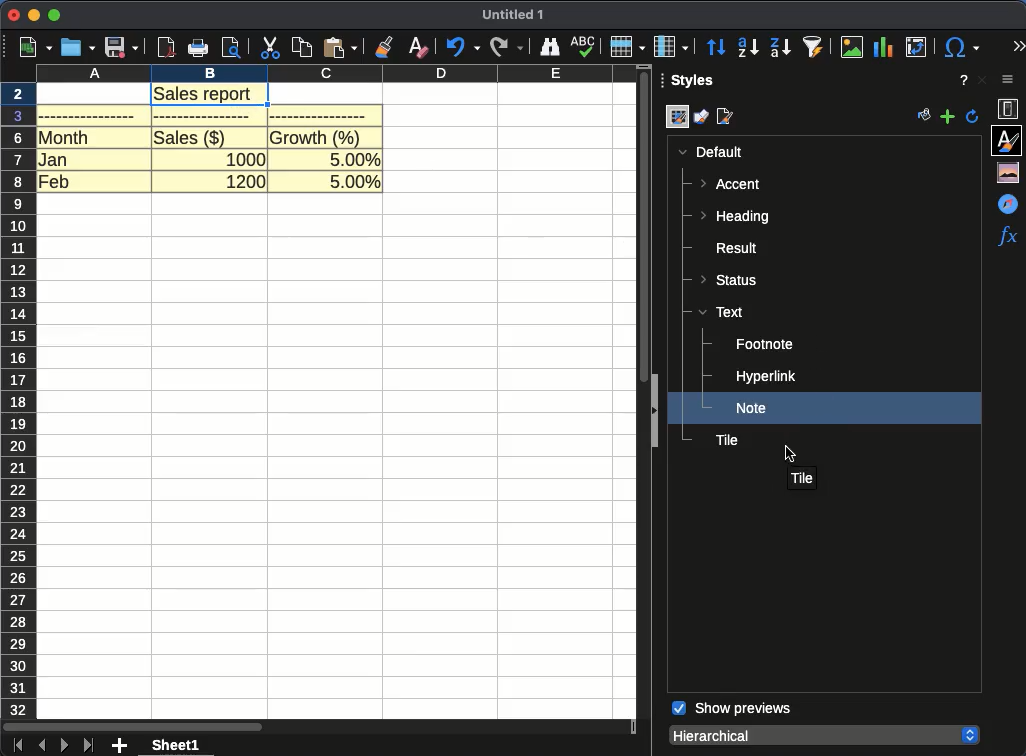 The width and height of the screenshot is (1026, 756). I want to click on sheet 1, so click(176, 745).